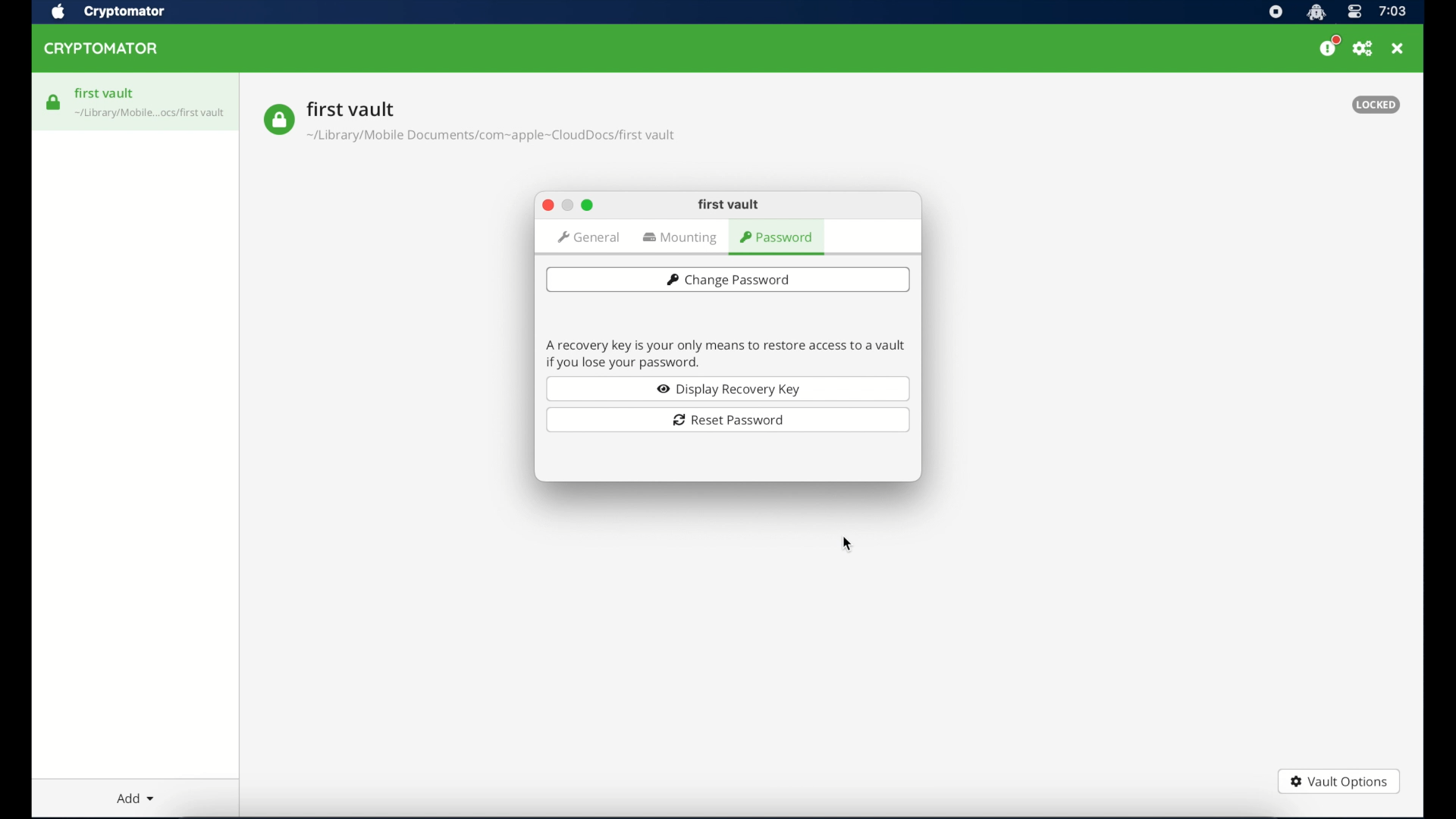 The width and height of the screenshot is (1456, 819). I want to click on vault icon, so click(278, 120).